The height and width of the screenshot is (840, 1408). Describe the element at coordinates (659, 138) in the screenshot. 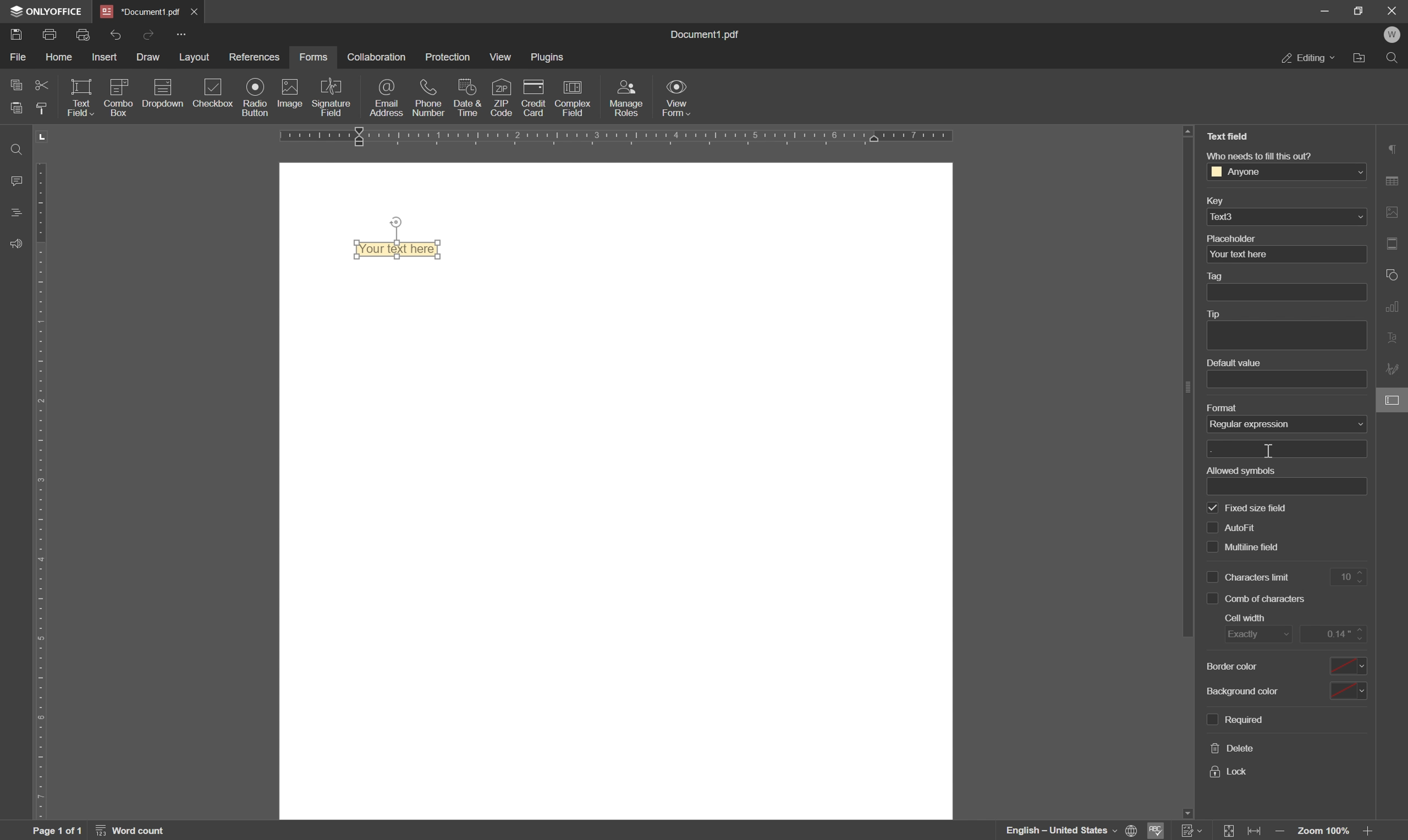

I see `ruler` at that location.